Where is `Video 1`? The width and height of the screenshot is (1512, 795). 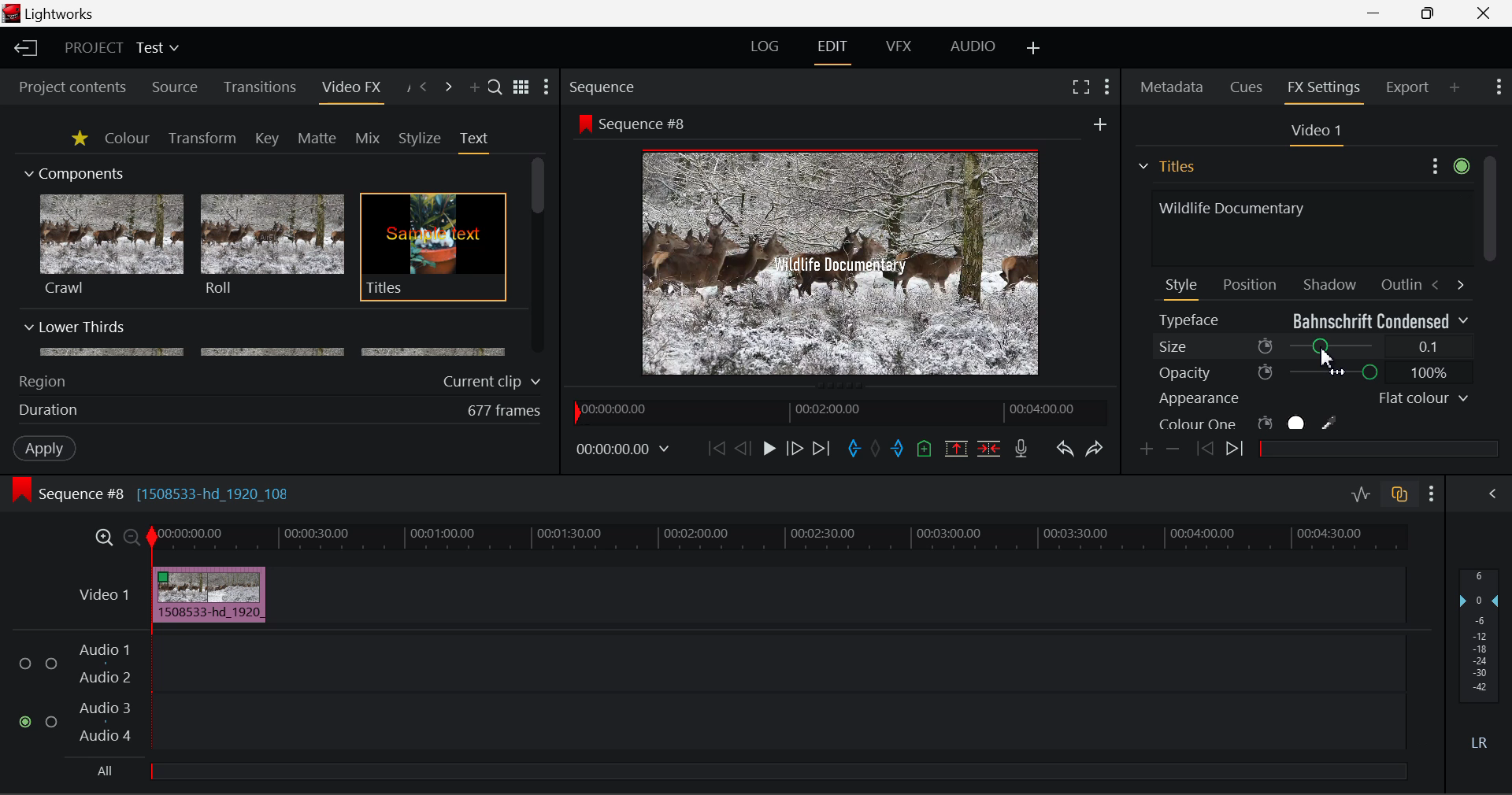 Video 1 is located at coordinates (1314, 131).